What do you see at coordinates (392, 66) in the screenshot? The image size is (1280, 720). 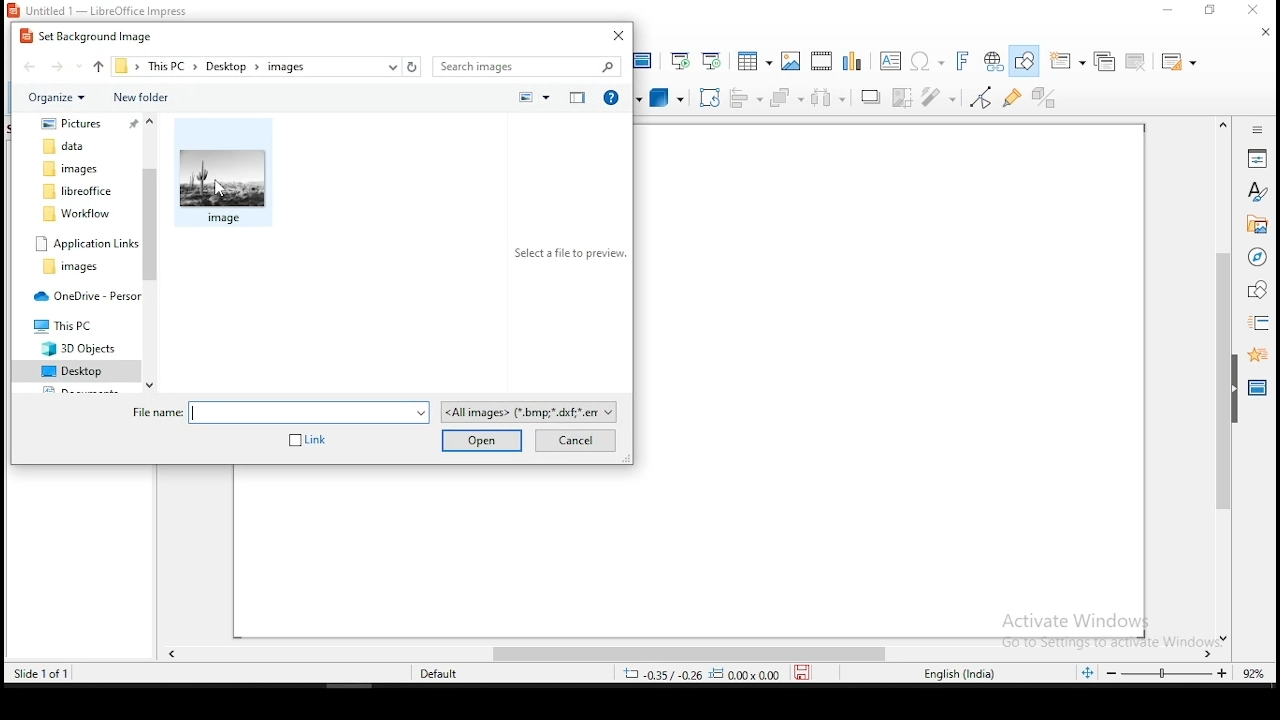 I see `recent locations` at bounding box center [392, 66].